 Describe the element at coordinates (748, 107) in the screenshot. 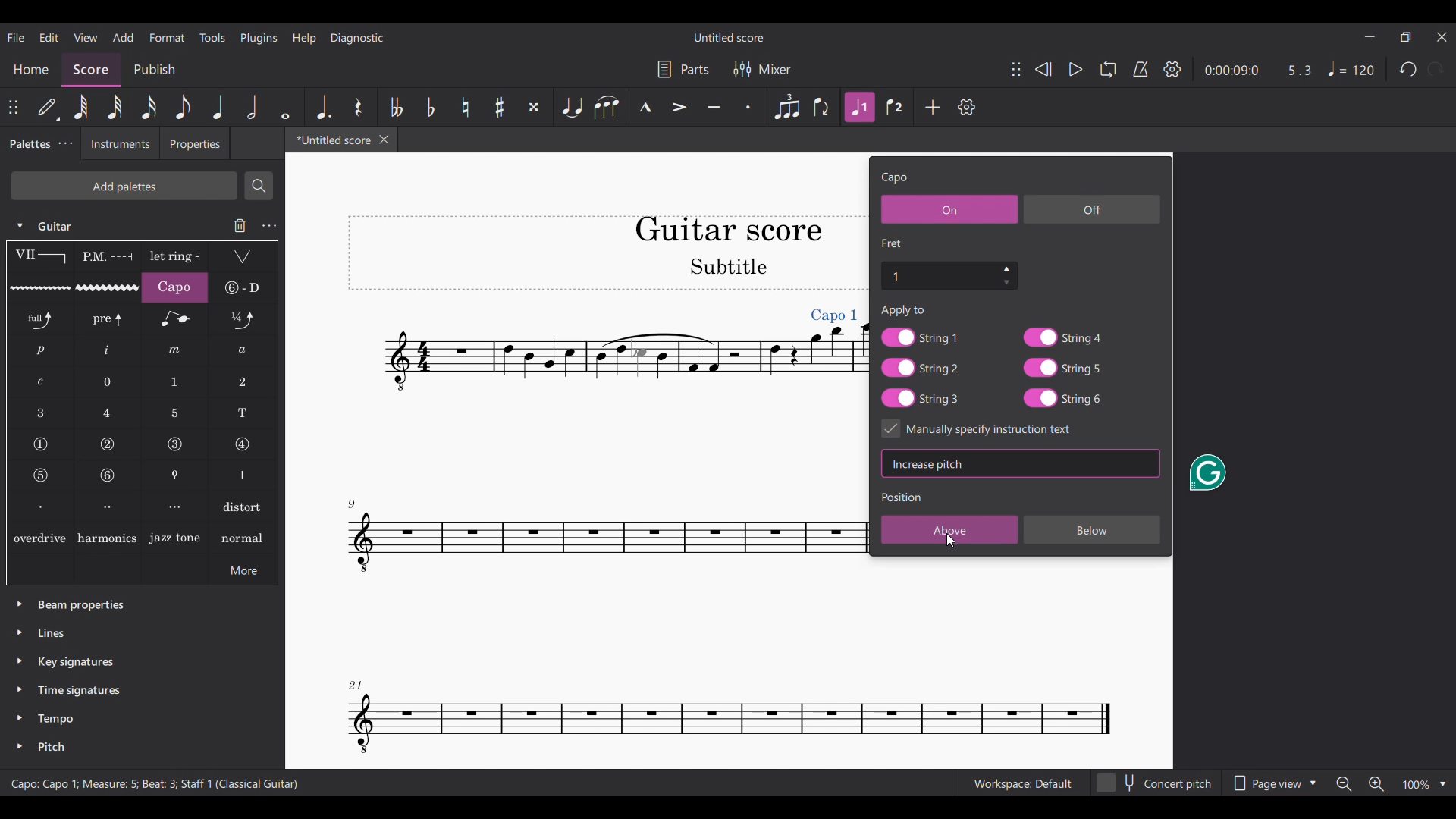

I see `Staccato` at that location.